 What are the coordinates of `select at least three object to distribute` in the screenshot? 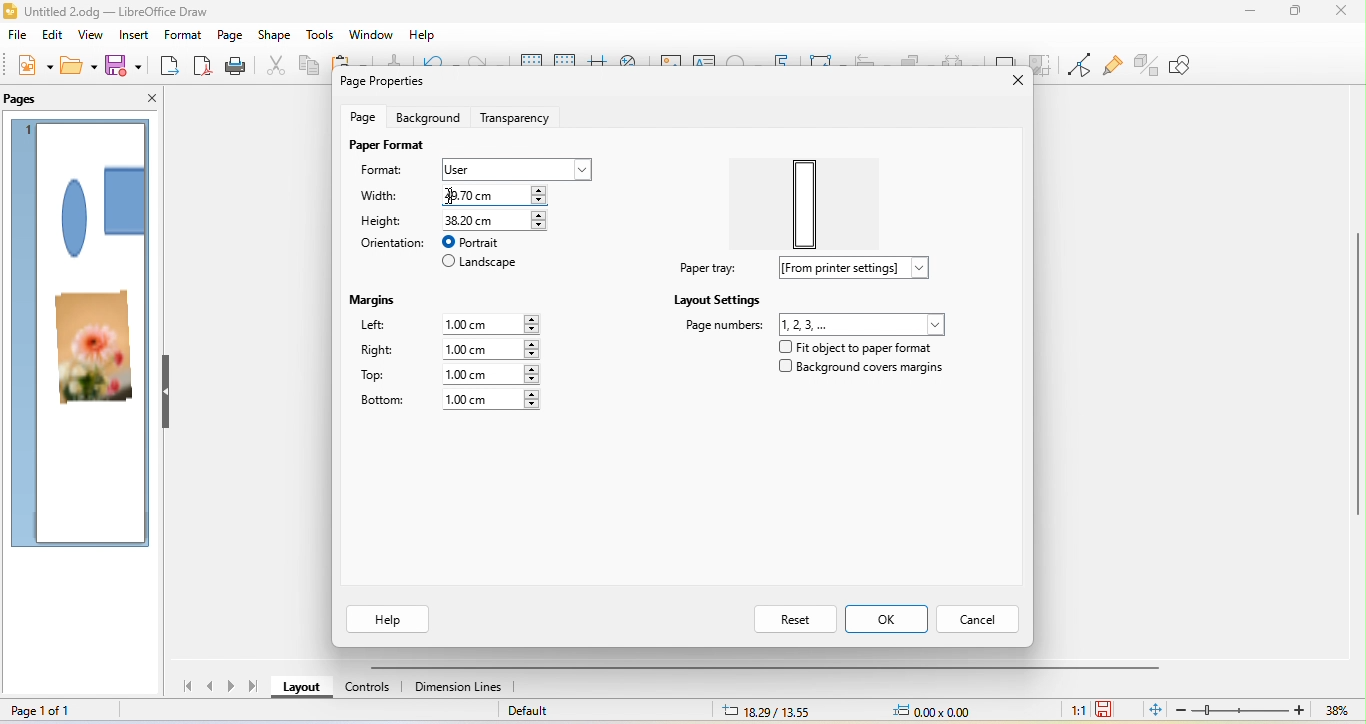 It's located at (963, 57).